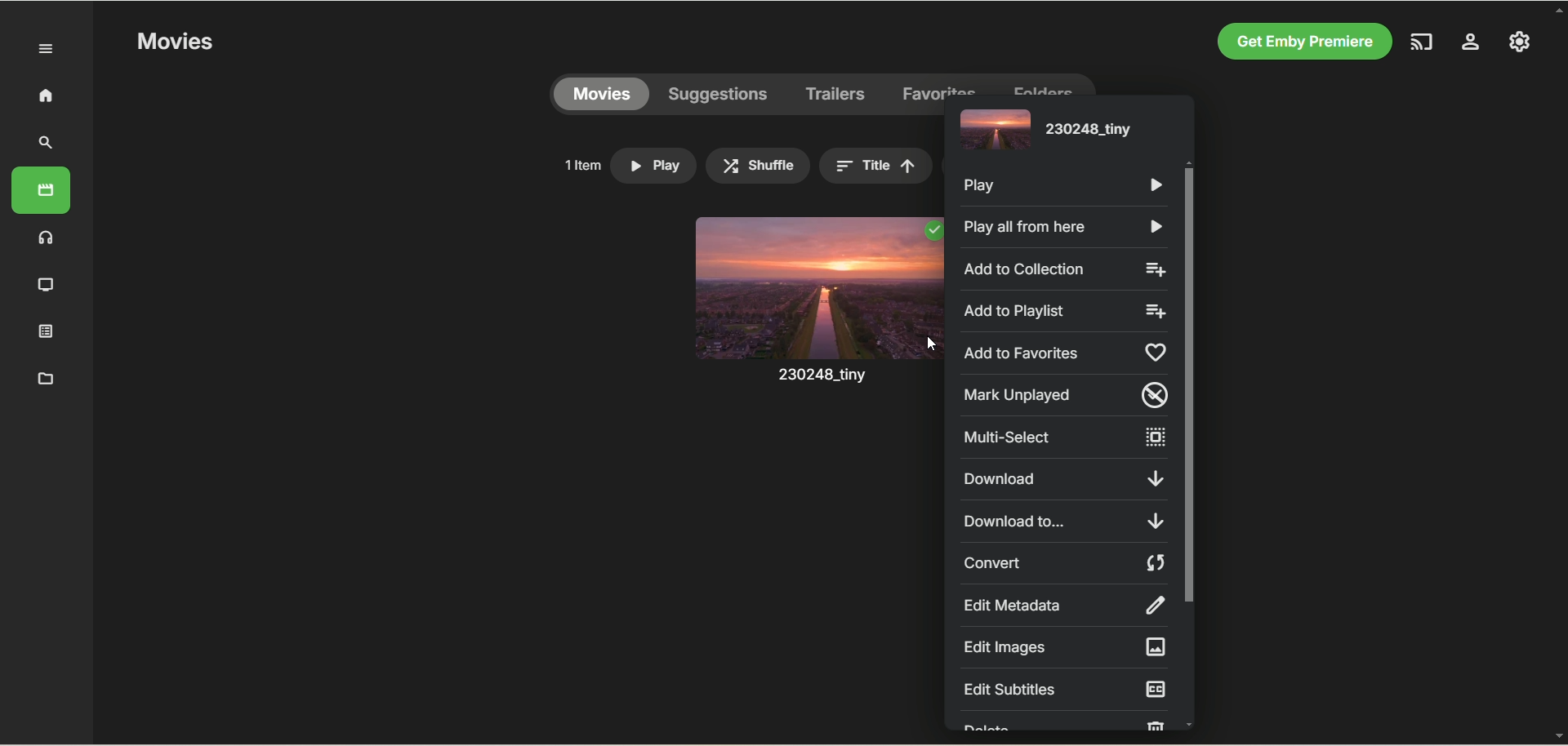 This screenshot has width=1568, height=746. I want to click on play on another device, so click(1423, 42).